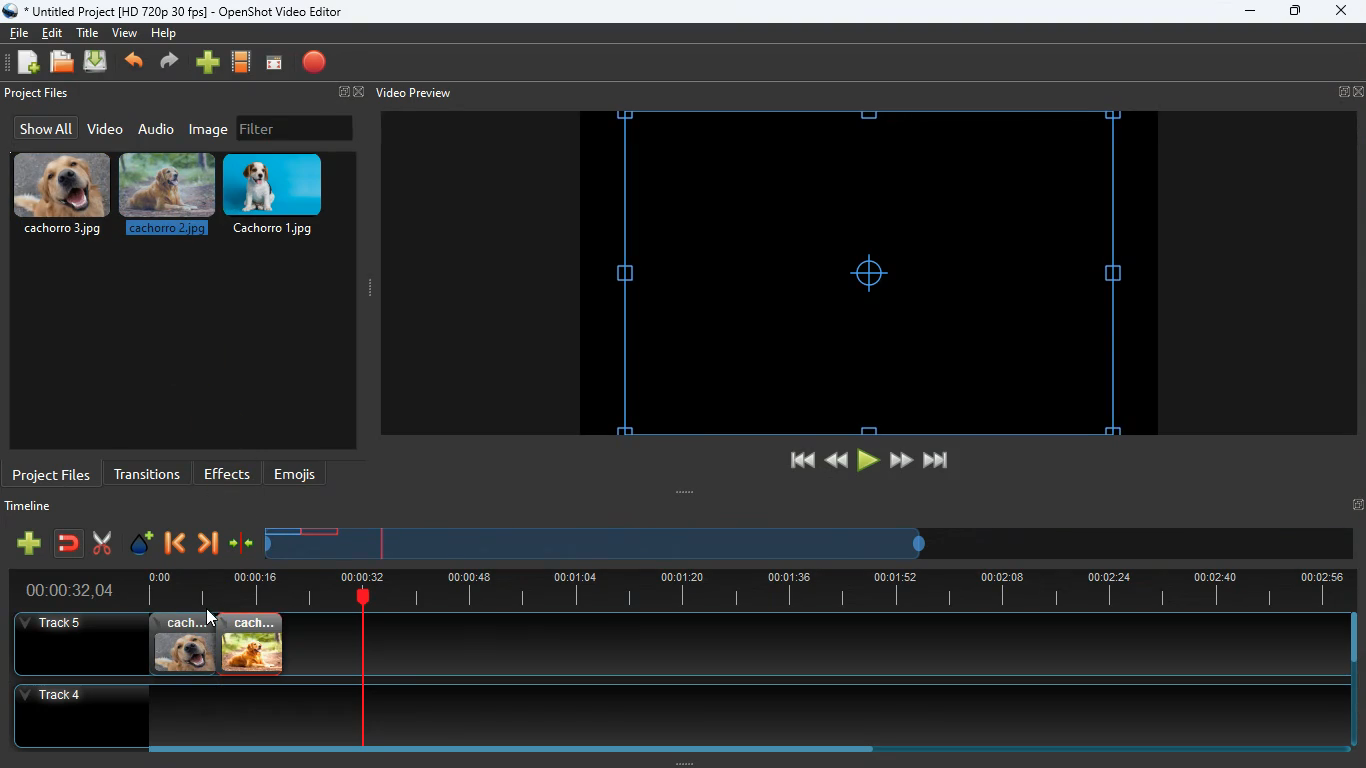  What do you see at coordinates (126, 33) in the screenshot?
I see `view` at bounding box center [126, 33].